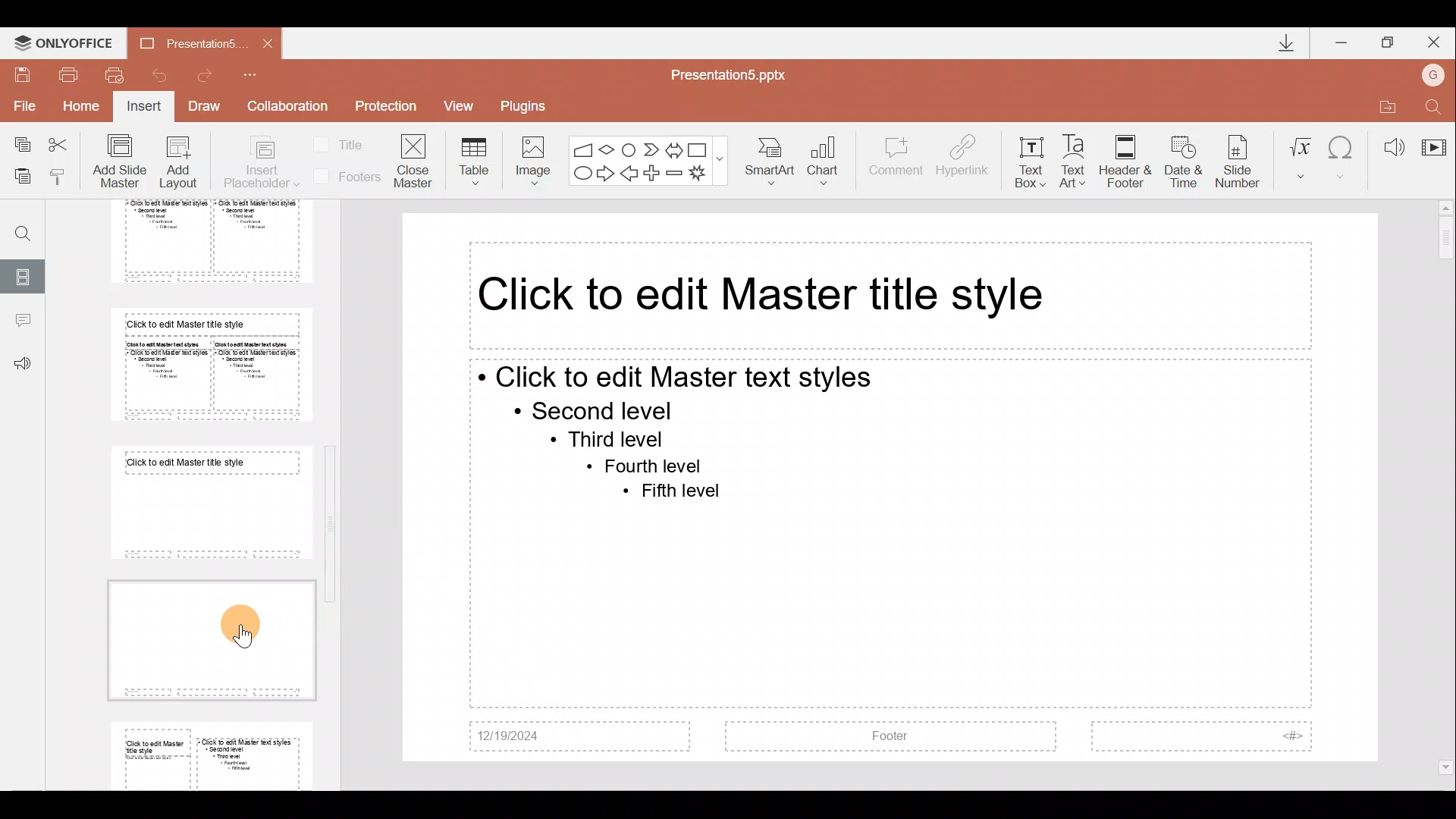 The image size is (1456, 819). Describe the element at coordinates (260, 74) in the screenshot. I see `Customize quick access toolbar` at that location.